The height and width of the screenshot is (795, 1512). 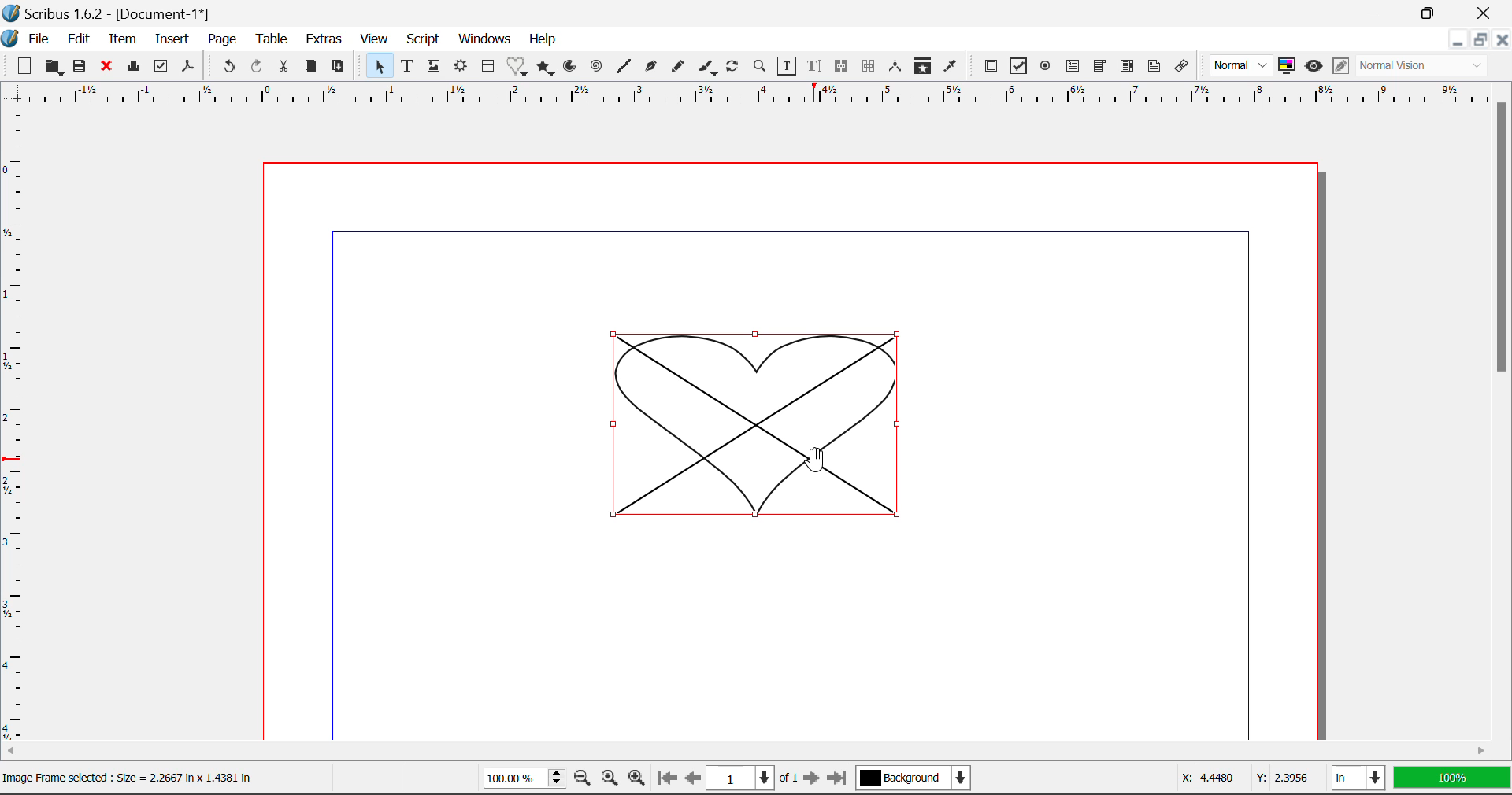 I want to click on 100%, so click(x=1451, y=779).